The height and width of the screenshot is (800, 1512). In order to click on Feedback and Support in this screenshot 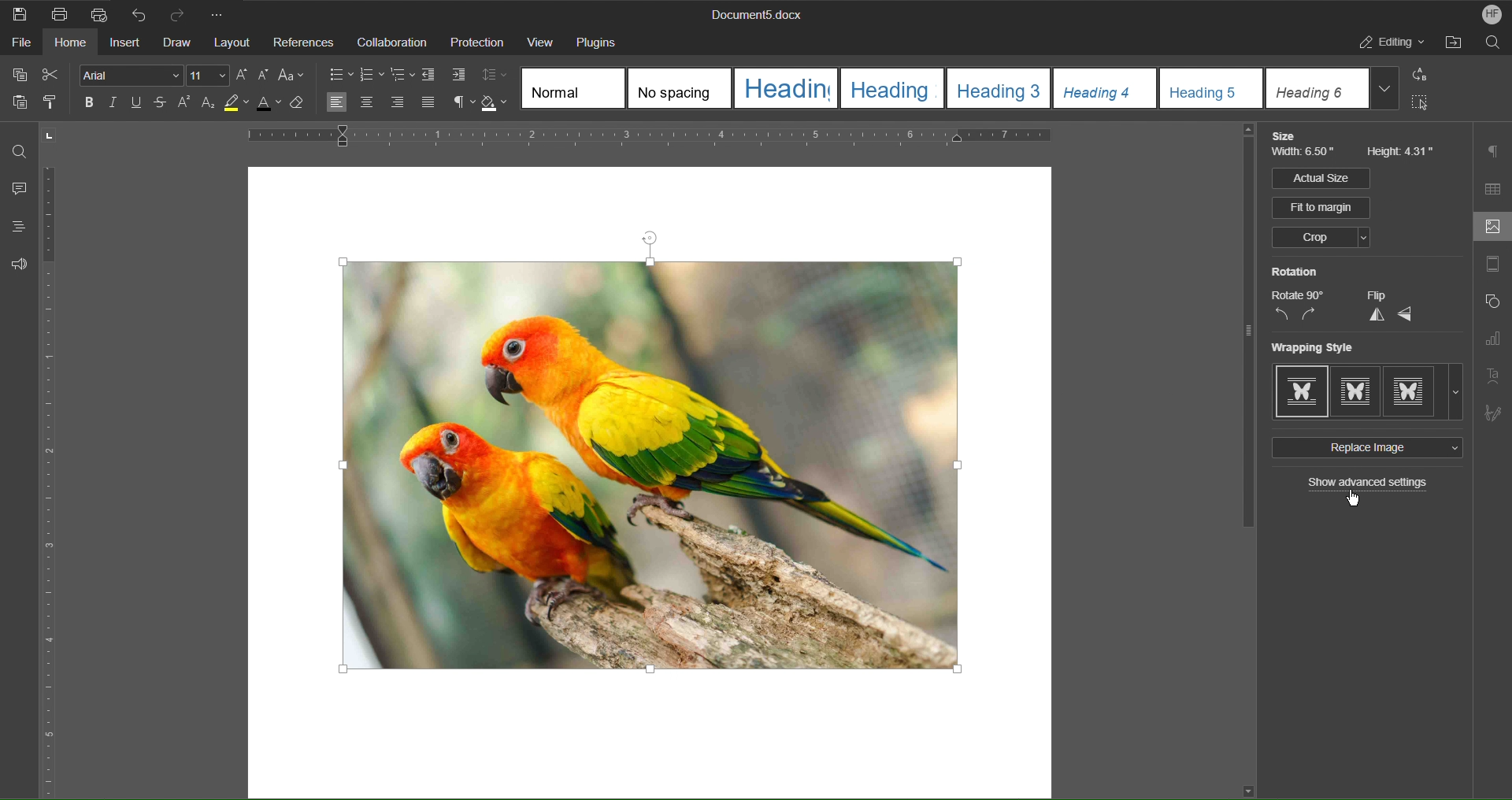, I will do `click(19, 264)`.